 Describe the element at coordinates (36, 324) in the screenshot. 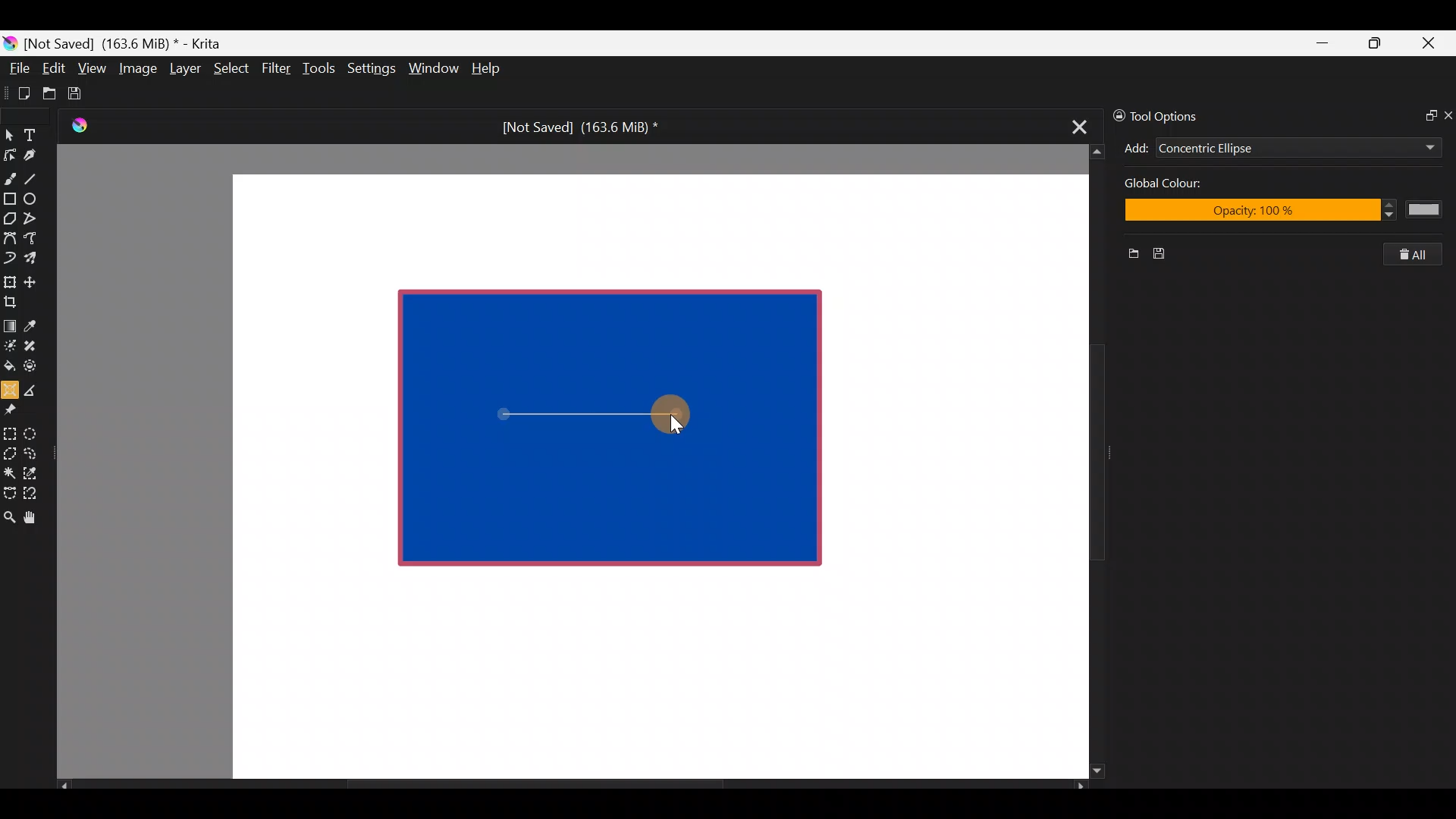

I see `Sample a colour from the image/current layer` at that location.